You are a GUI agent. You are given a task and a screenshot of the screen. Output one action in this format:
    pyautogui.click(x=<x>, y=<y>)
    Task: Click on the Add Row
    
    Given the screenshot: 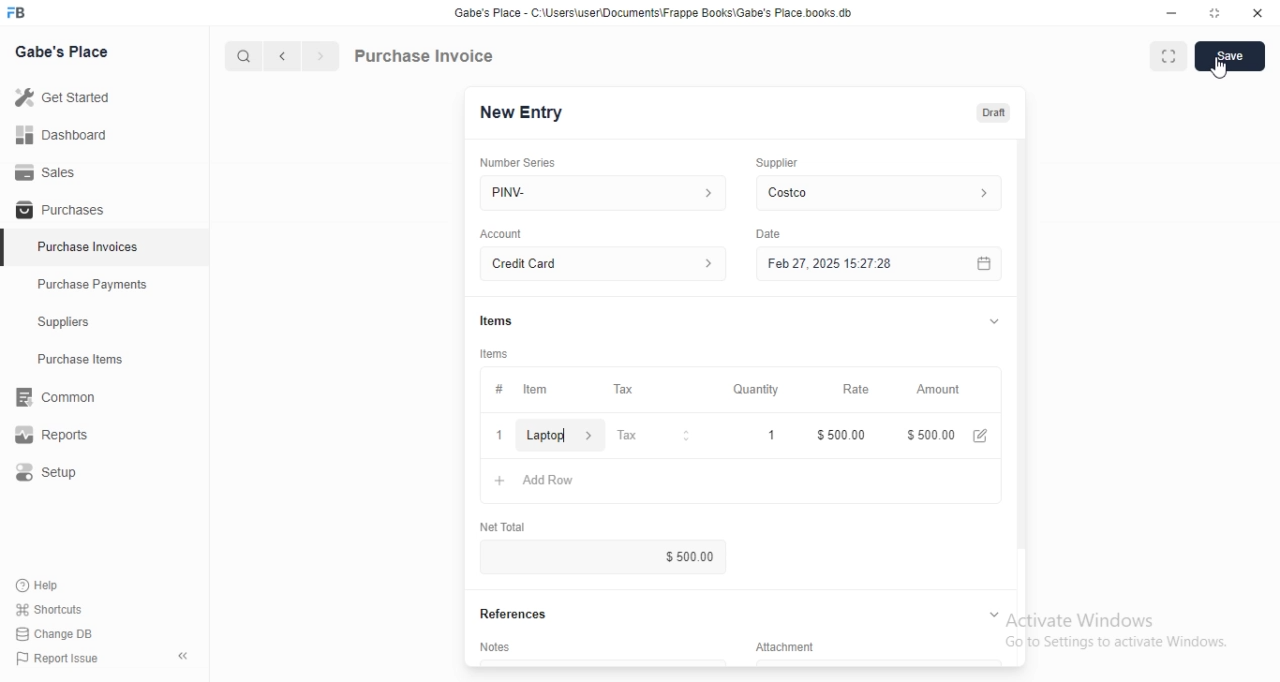 What is the action you would take?
    pyautogui.click(x=741, y=481)
    